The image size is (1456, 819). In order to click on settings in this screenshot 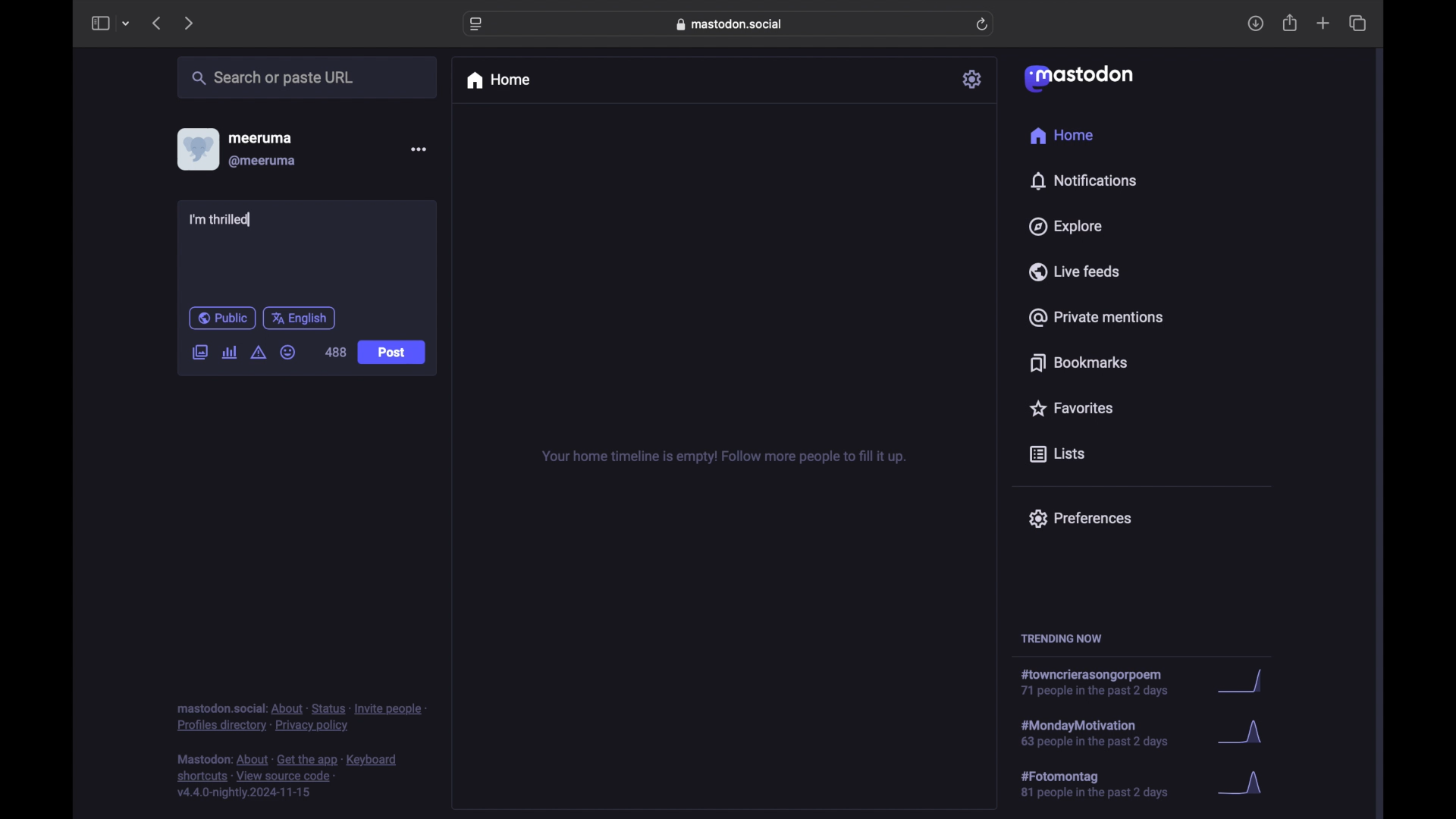, I will do `click(973, 79)`.